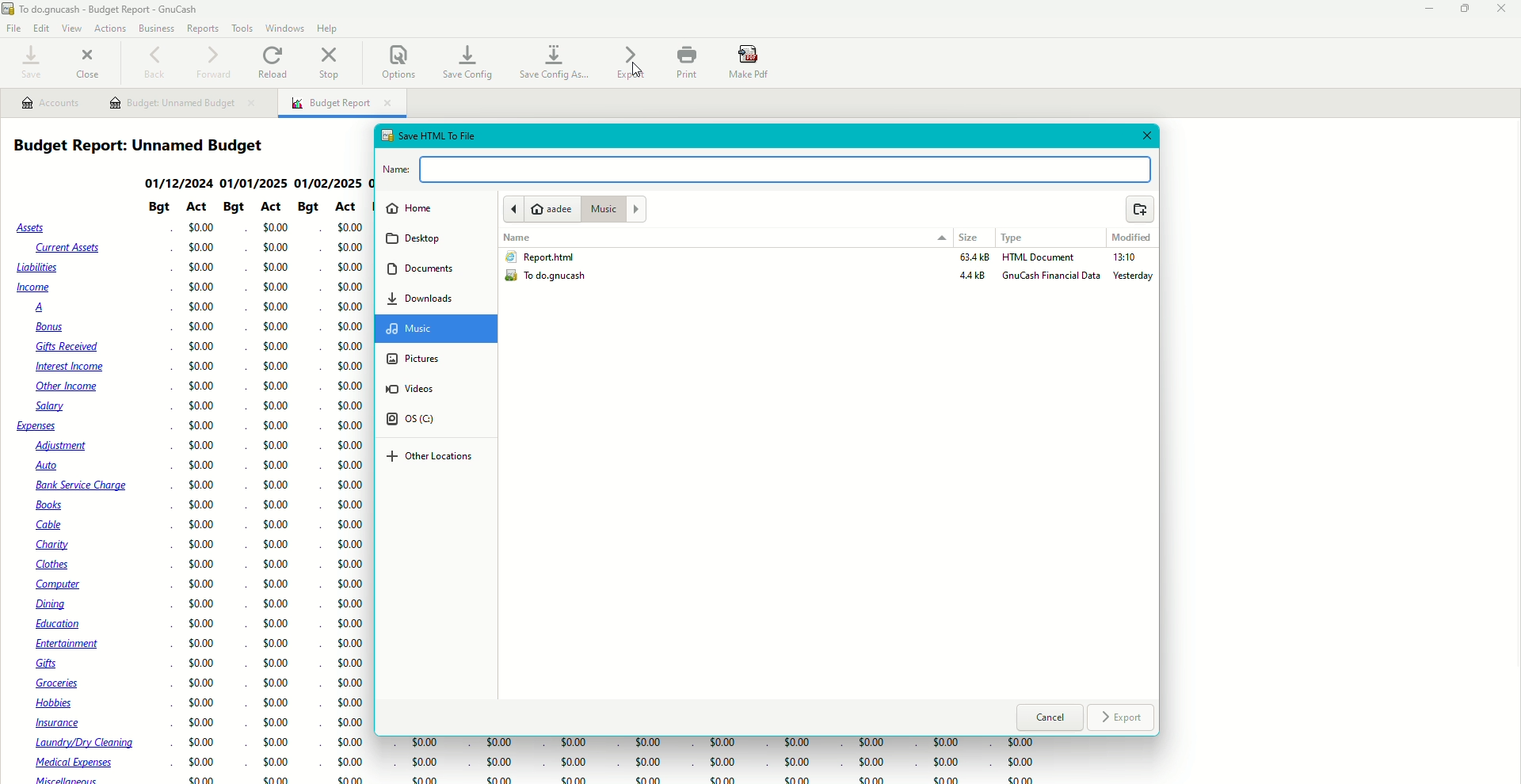 This screenshot has height=784, width=1521. Describe the element at coordinates (630, 63) in the screenshot. I see `Export` at that location.